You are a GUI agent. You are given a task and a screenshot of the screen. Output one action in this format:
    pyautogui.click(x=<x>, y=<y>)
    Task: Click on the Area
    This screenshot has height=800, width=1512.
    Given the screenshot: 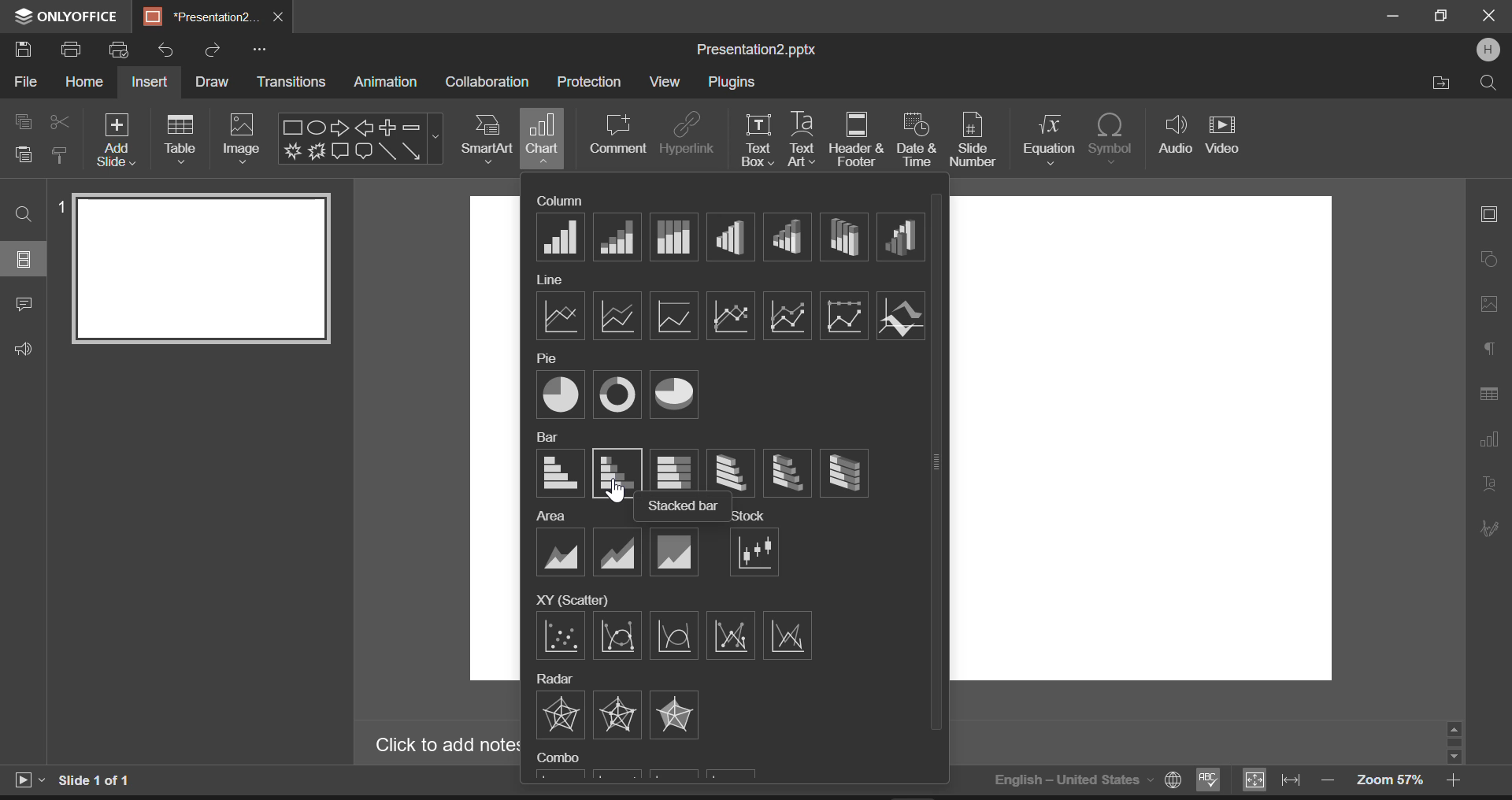 What is the action you would take?
    pyautogui.click(x=559, y=553)
    